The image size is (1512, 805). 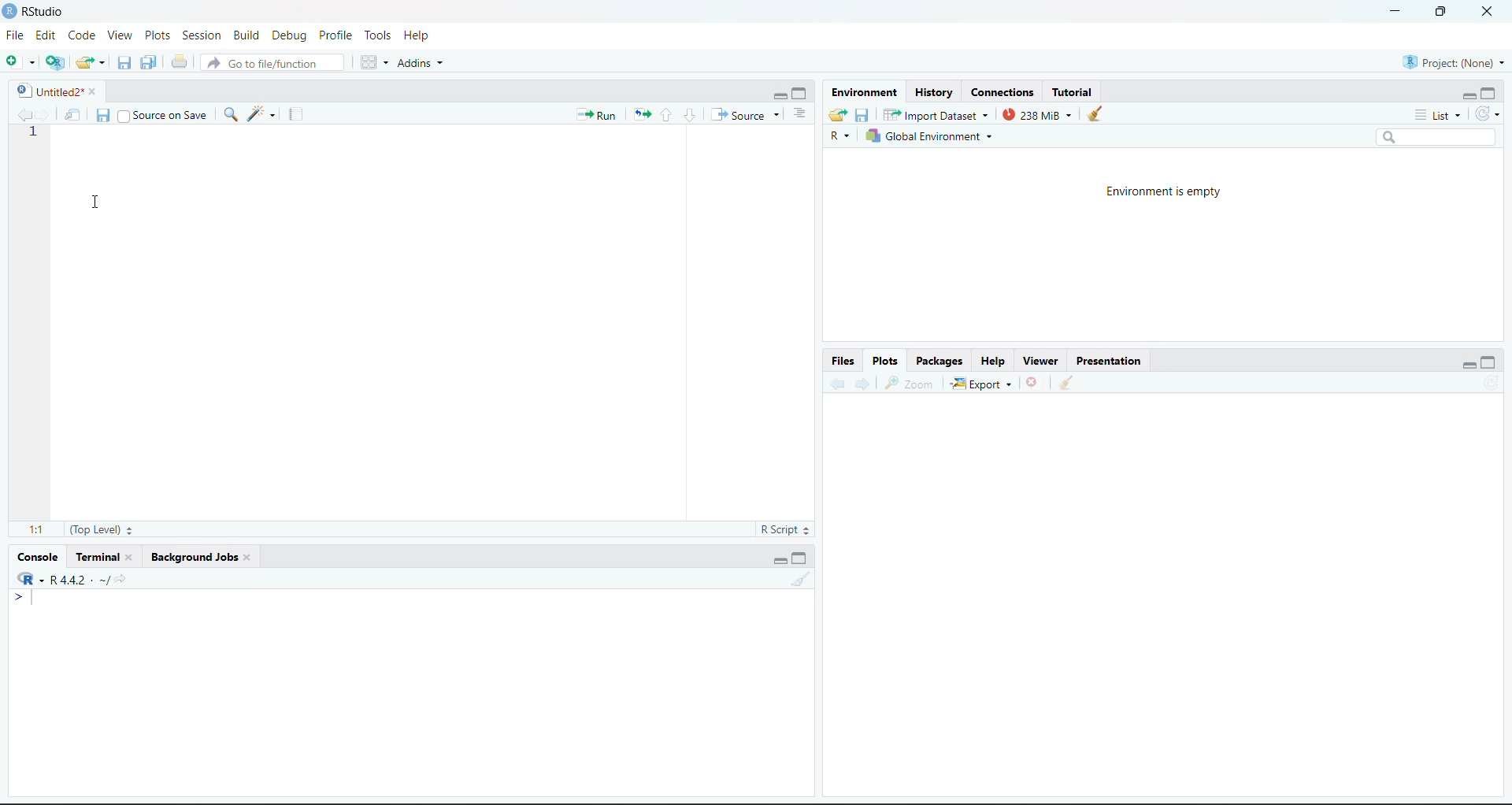 I want to click on clear, so click(x=1095, y=113).